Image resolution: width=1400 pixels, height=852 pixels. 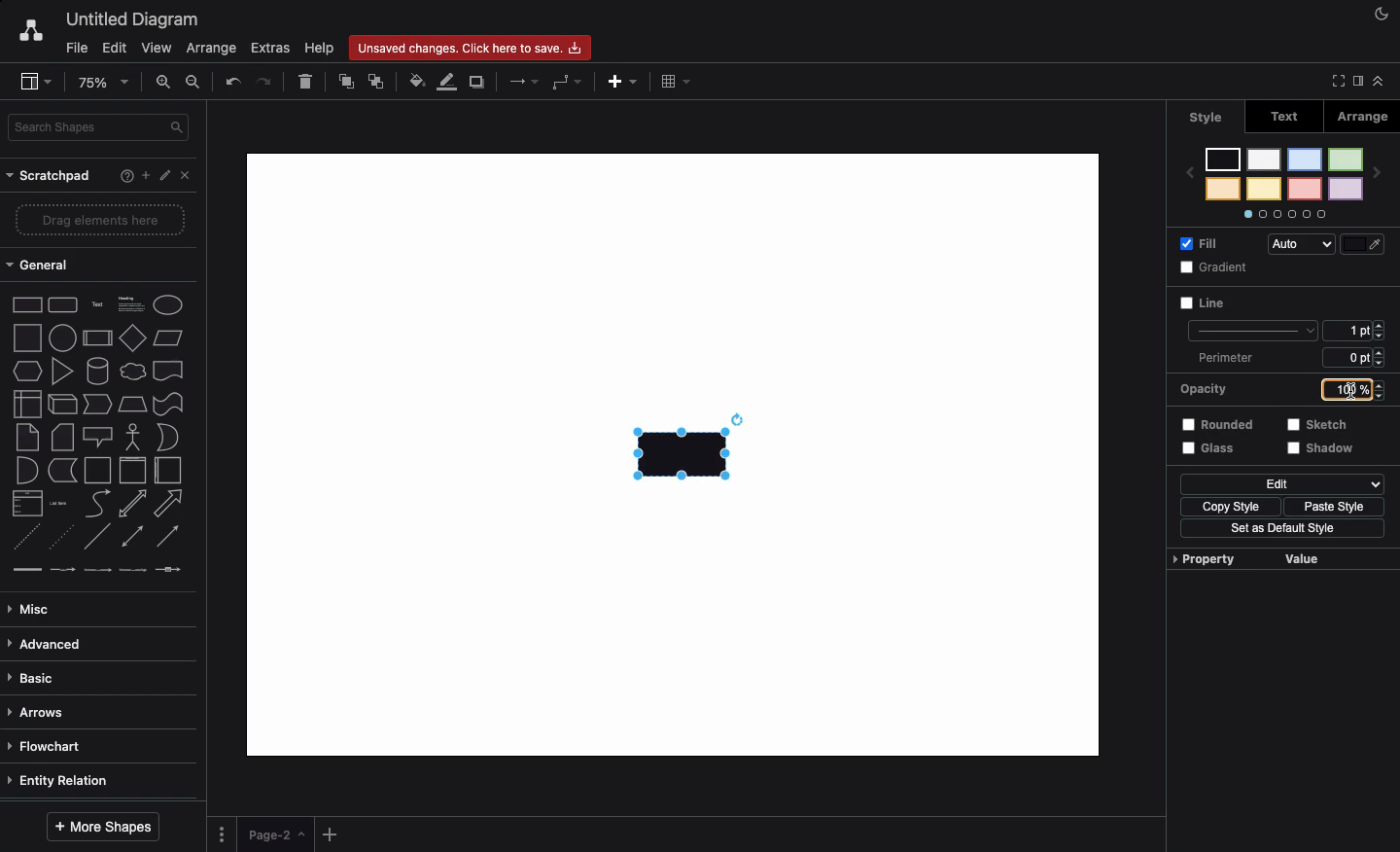 What do you see at coordinates (63, 337) in the screenshot?
I see `circle` at bounding box center [63, 337].